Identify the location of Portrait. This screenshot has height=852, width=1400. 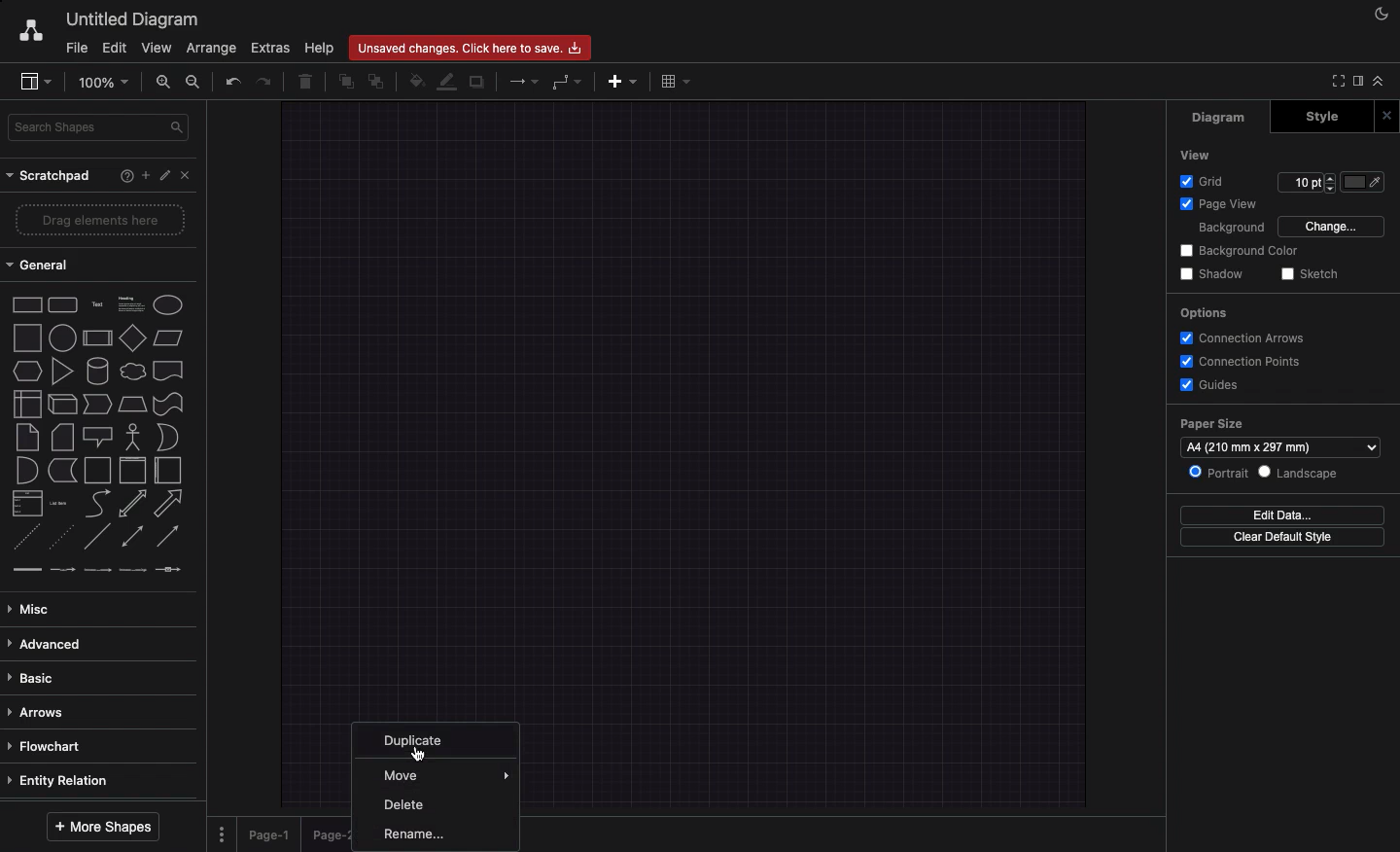
(1217, 472).